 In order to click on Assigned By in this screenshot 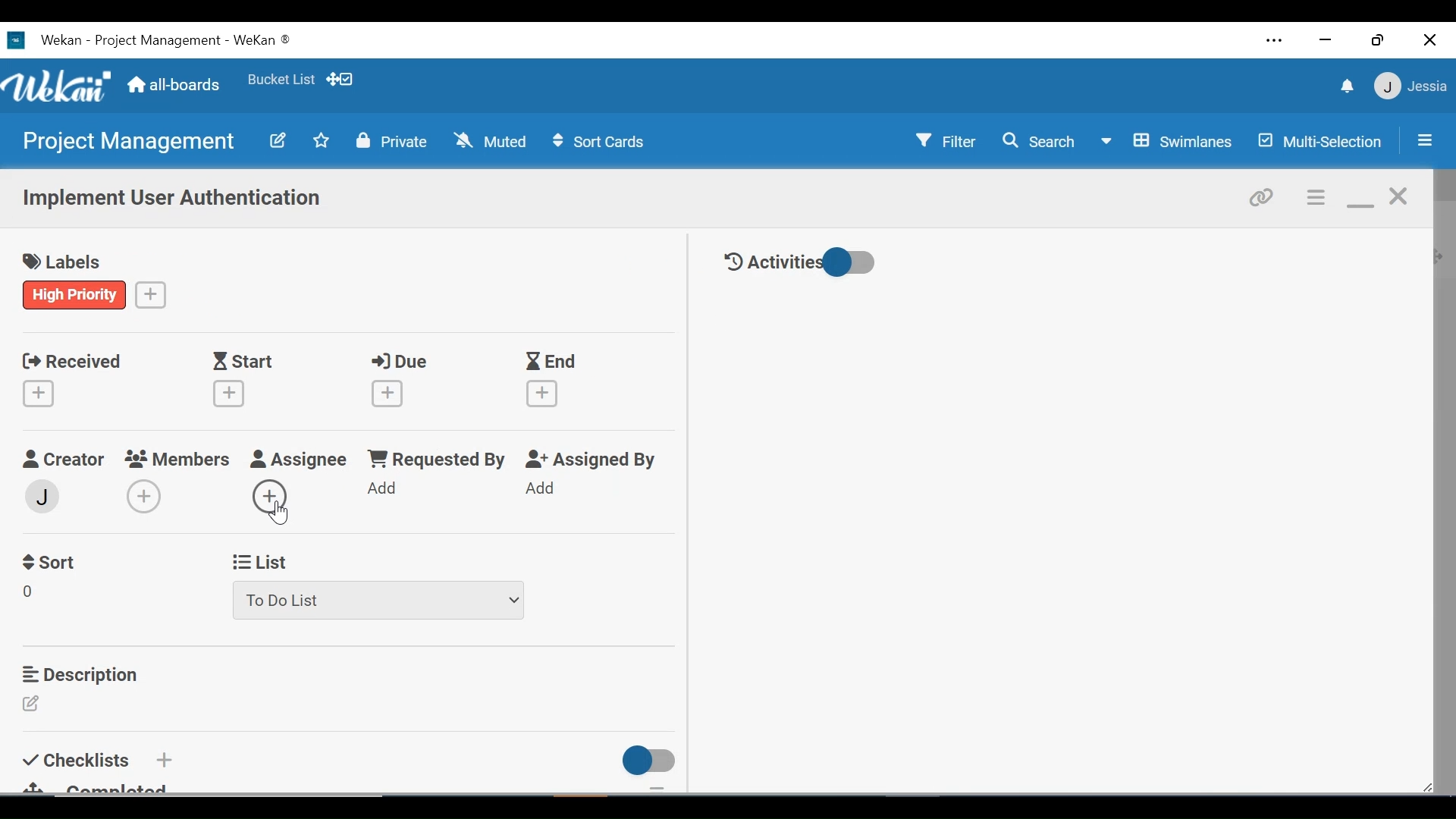, I will do `click(595, 460)`.